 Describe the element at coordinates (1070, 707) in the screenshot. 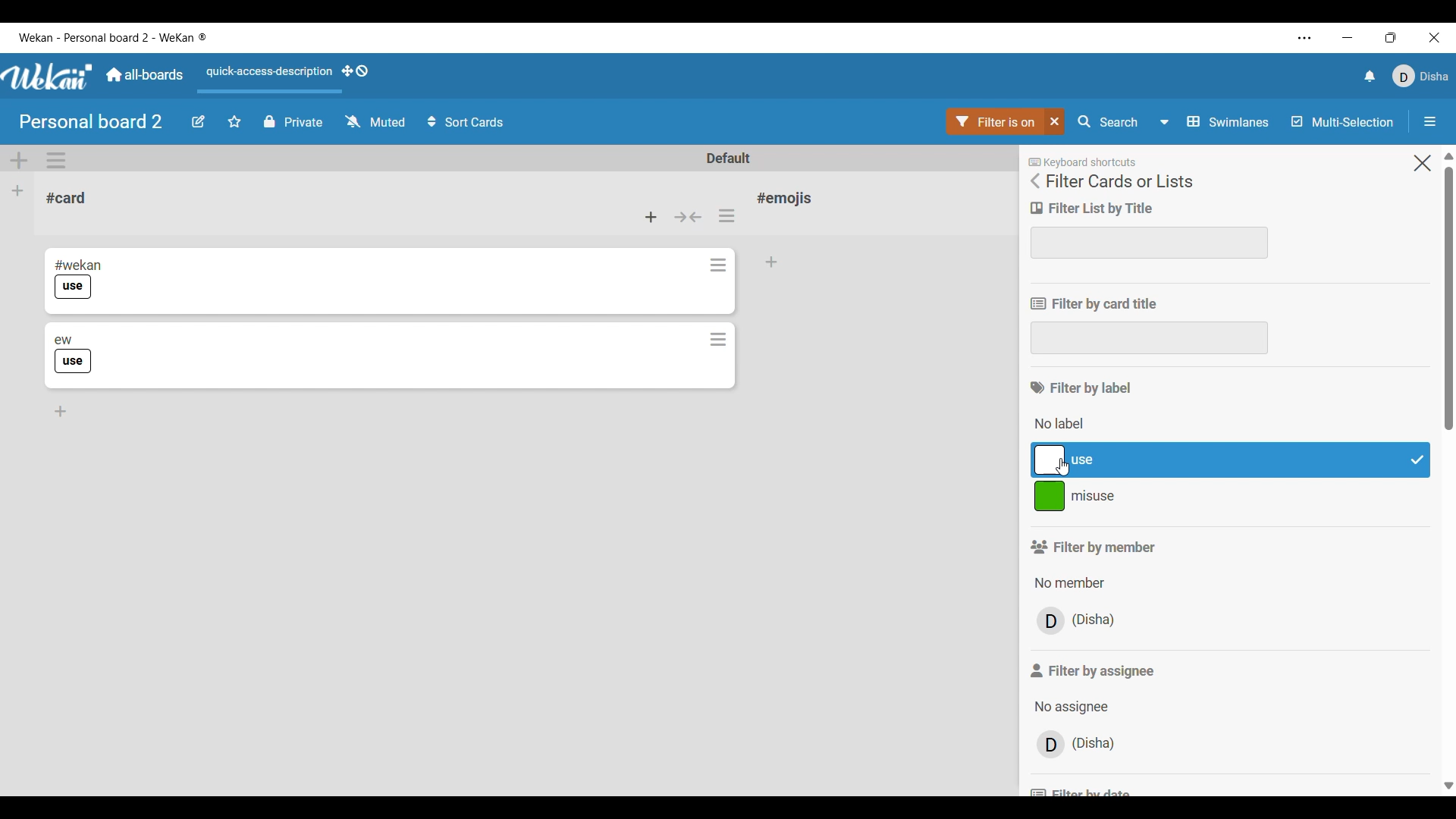

I see `Options to choose from` at that location.